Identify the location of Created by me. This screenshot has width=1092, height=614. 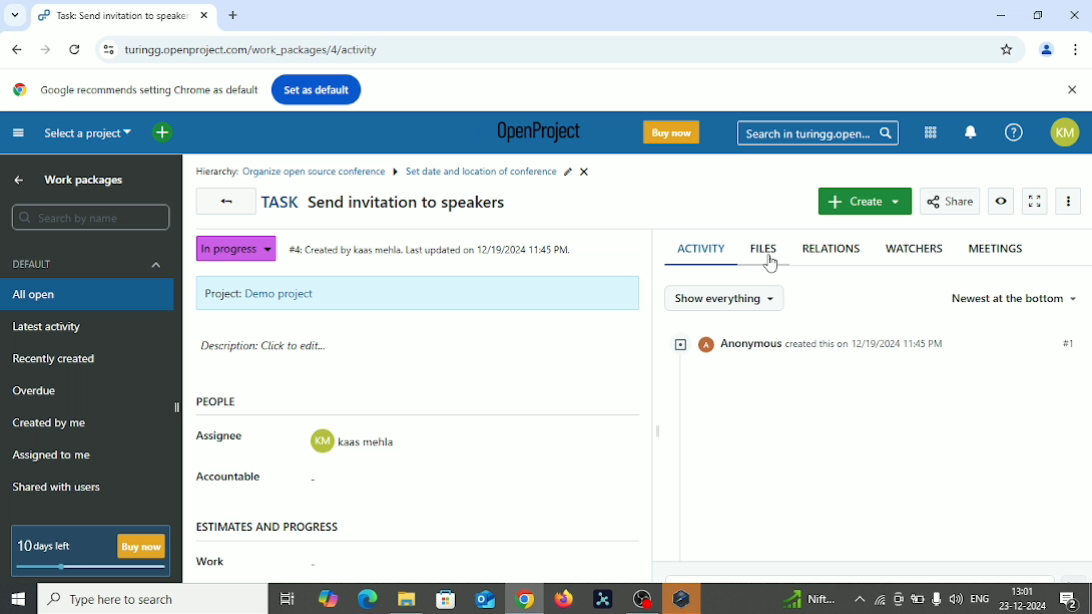
(52, 425).